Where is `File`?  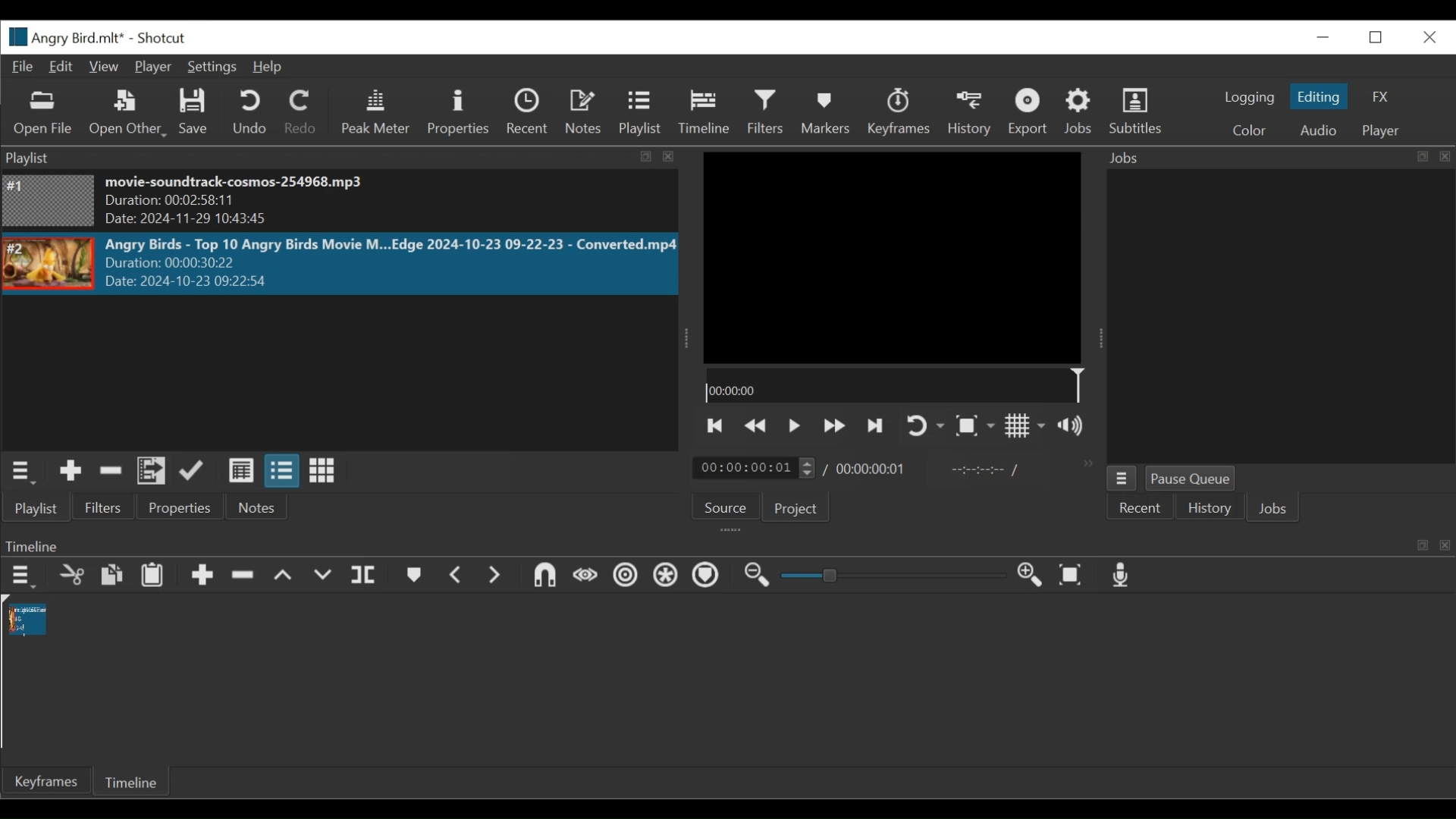
File is located at coordinates (24, 66).